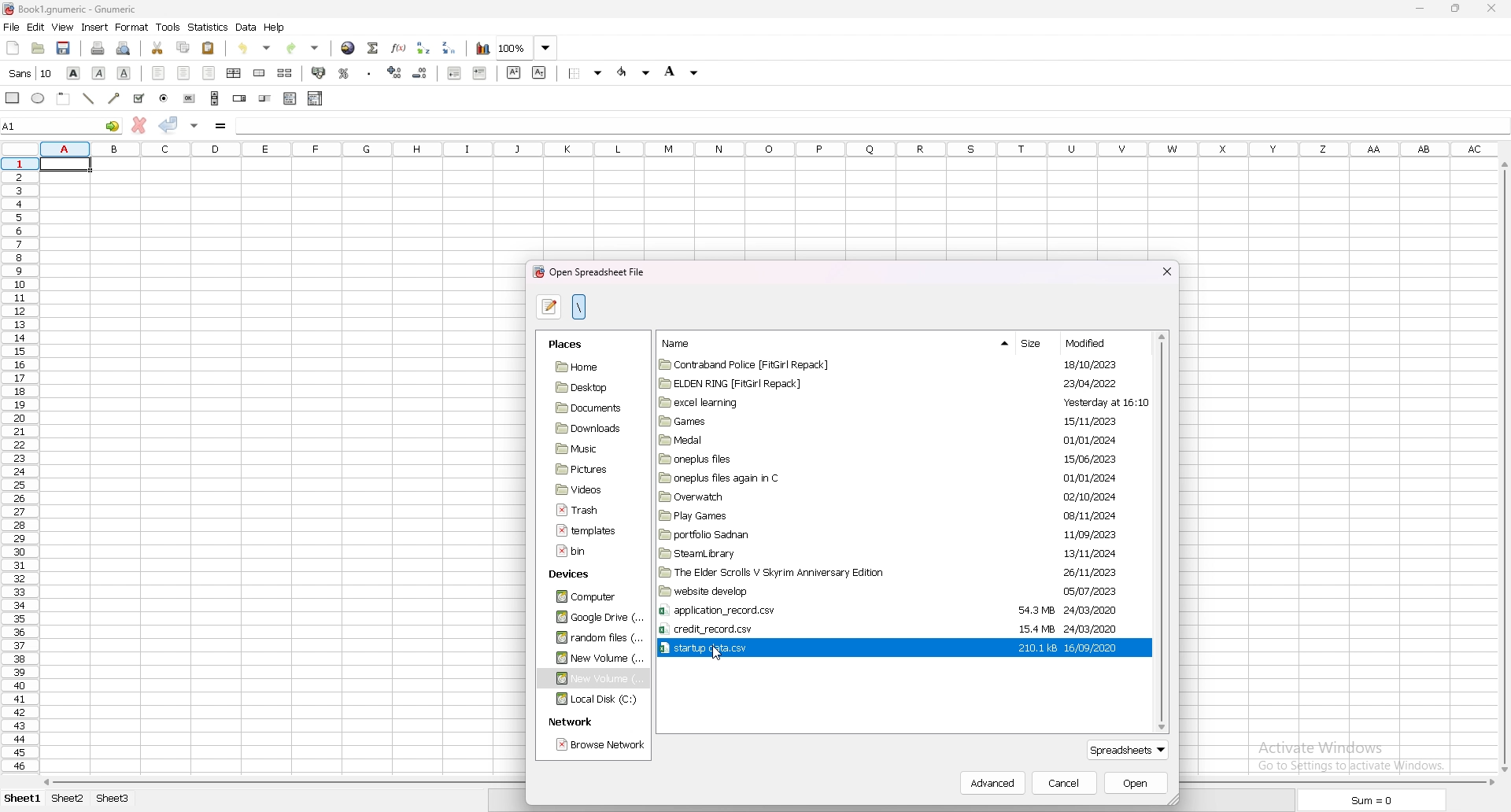 The image size is (1511, 812). I want to click on scroll bar, so click(1502, 467).